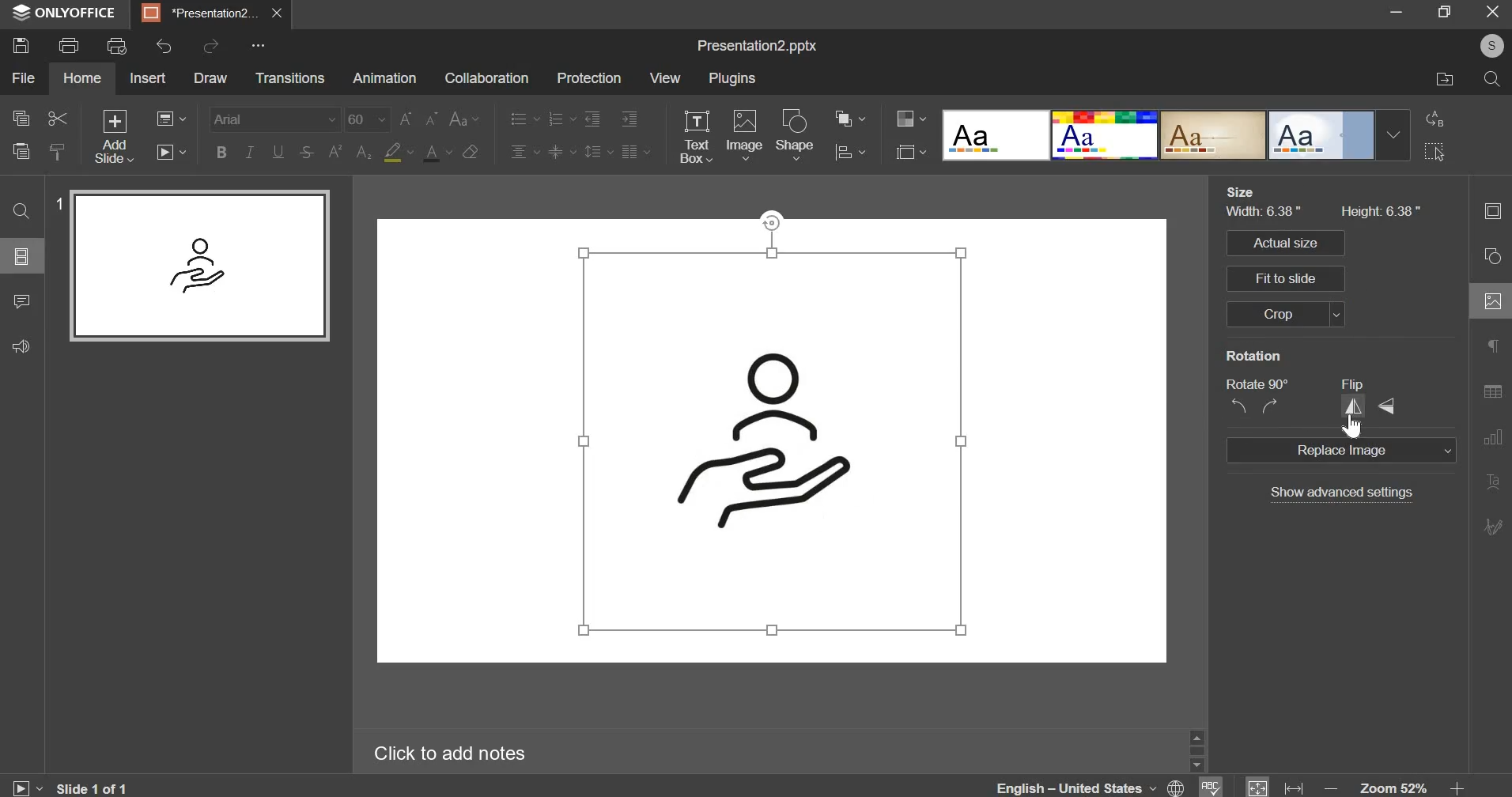  What do you see at coordinates (1177, 136) in the screenshot?
I see `design` at bounding box center [1177, 136].